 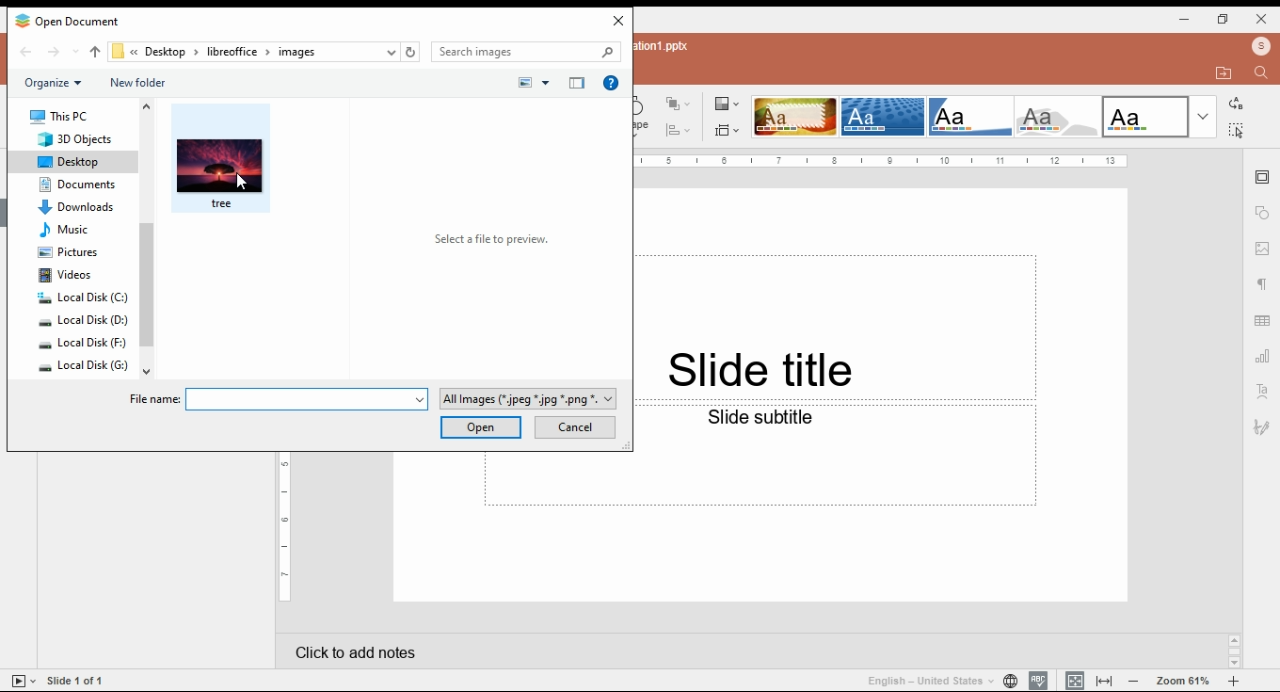 I want to click on system drive 1, so click(x=83, y=298).